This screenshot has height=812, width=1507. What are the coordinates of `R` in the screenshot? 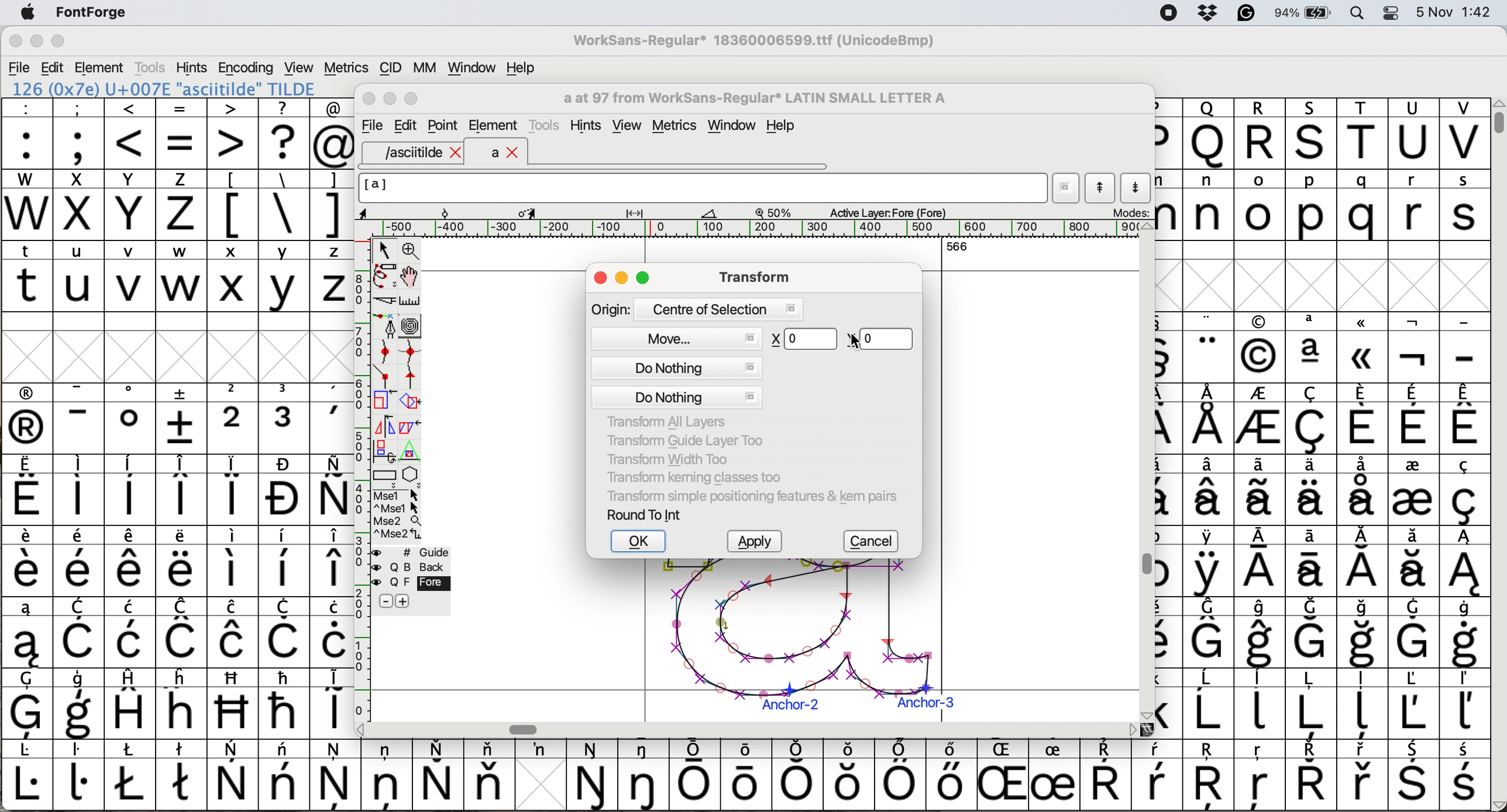 It's located at (1260, 134).